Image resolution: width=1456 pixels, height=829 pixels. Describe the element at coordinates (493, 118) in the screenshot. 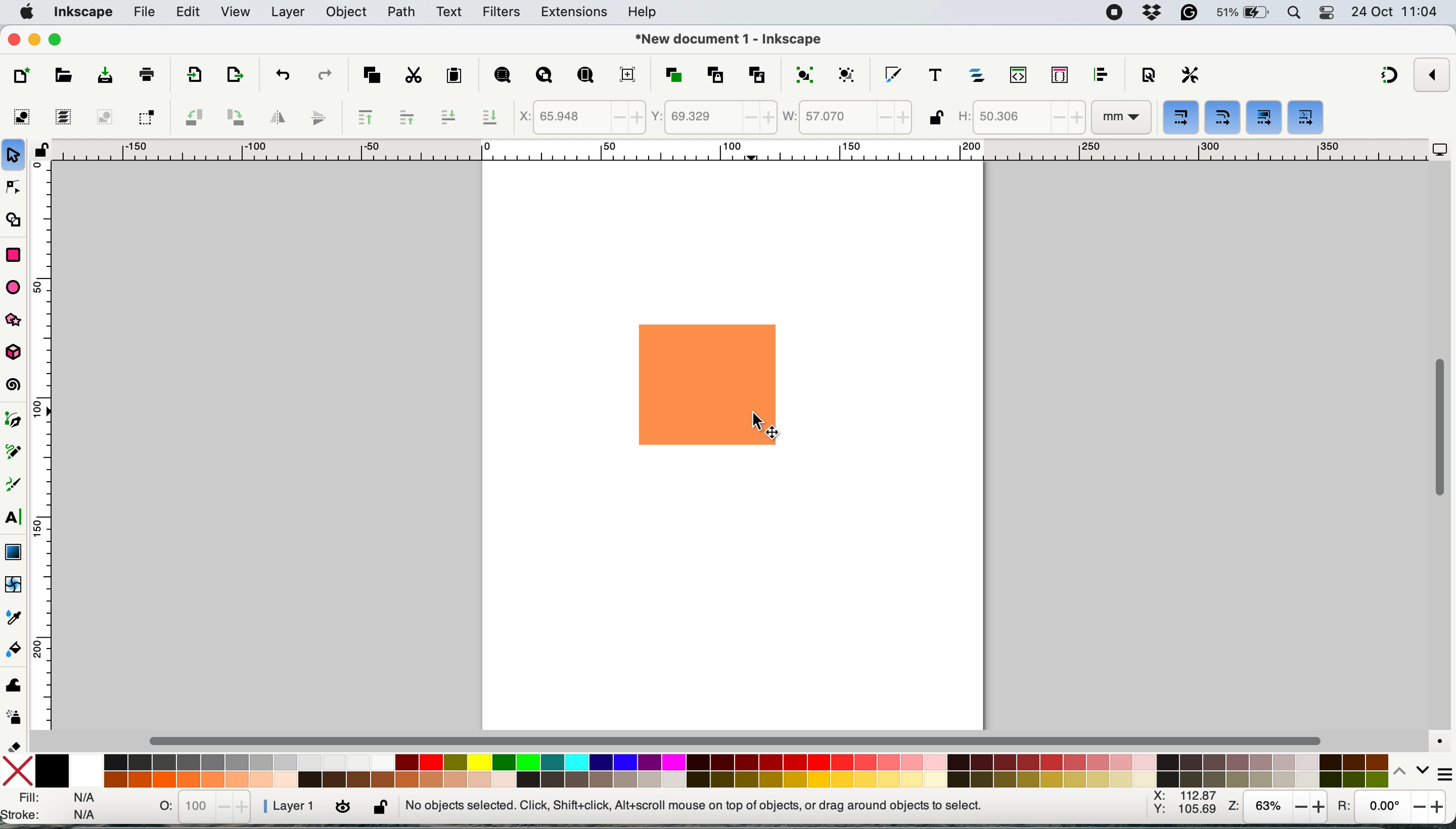

I see `lower selection to bottom` at that location.